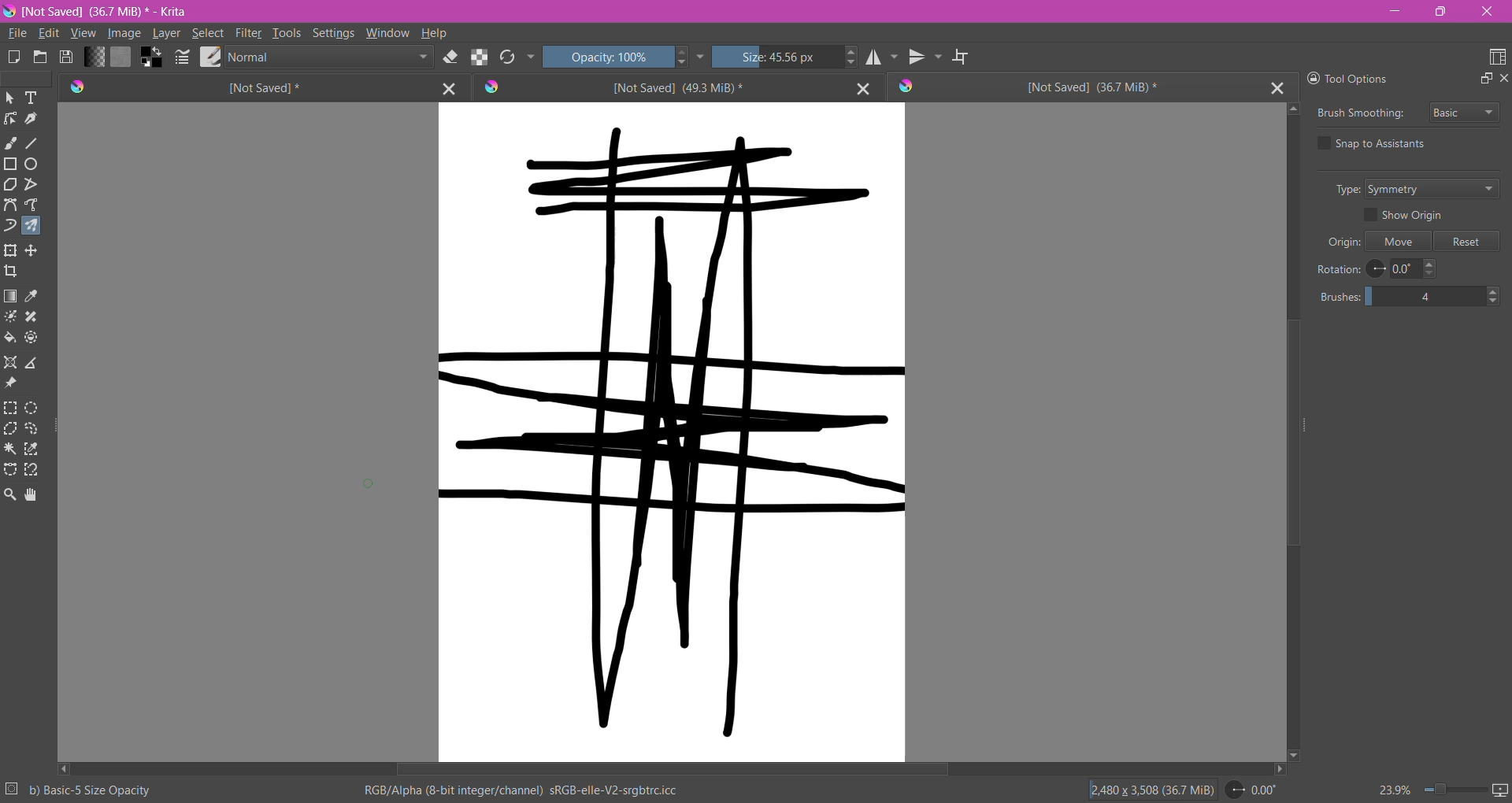 The image size is (1512, 803). I want to click on Unsaved Document Tab2, so click(652, 87).